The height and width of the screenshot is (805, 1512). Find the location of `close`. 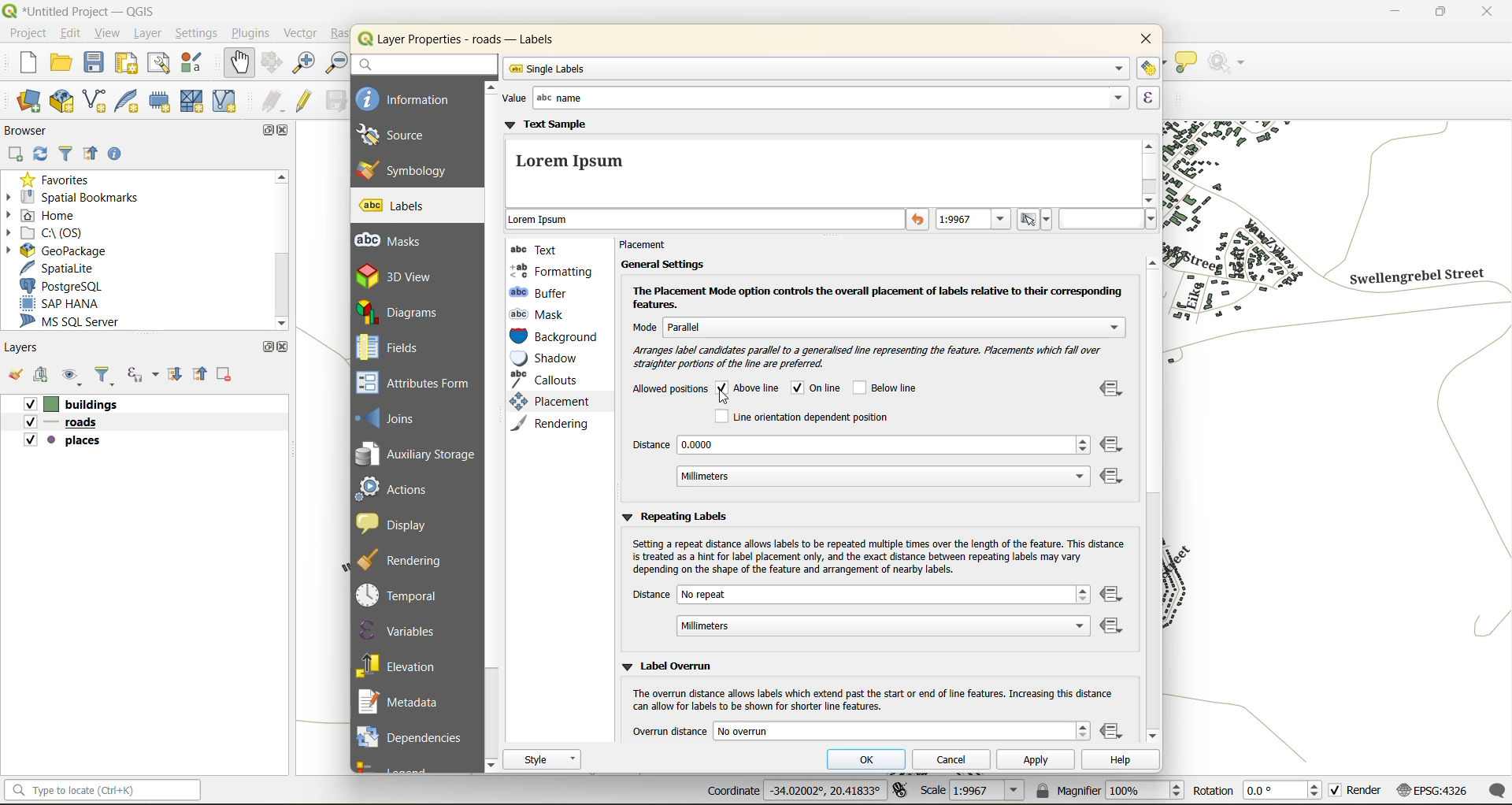

close is located at coordinates (286, 132).